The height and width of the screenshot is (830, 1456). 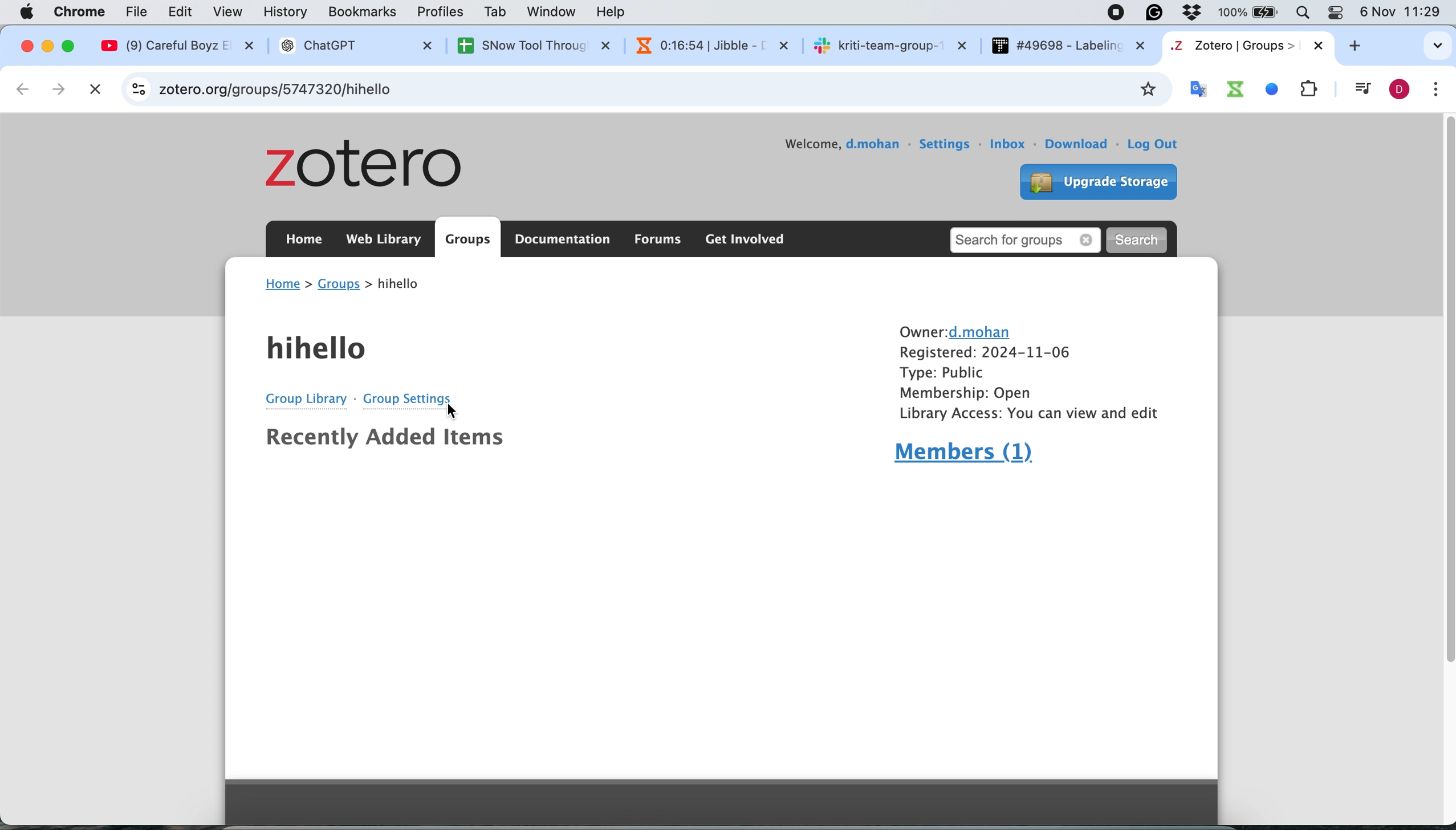 What do you see at coordinates (1250, 13) in the screenshot?
I see `Battery percentage` at bounding box center [1250, 13].